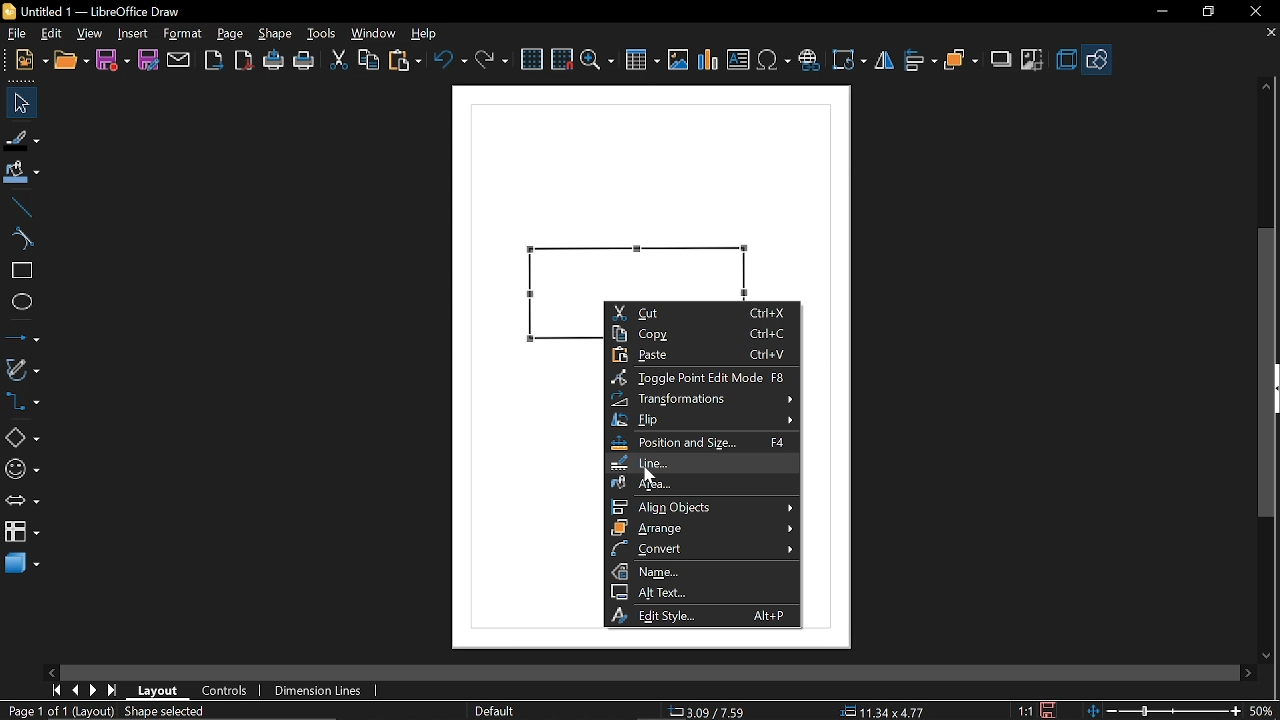 This screenshot has height=720, width=1280. Describe the element at coordinates (112, 60) in the screenshot. I see `save ` at that location.